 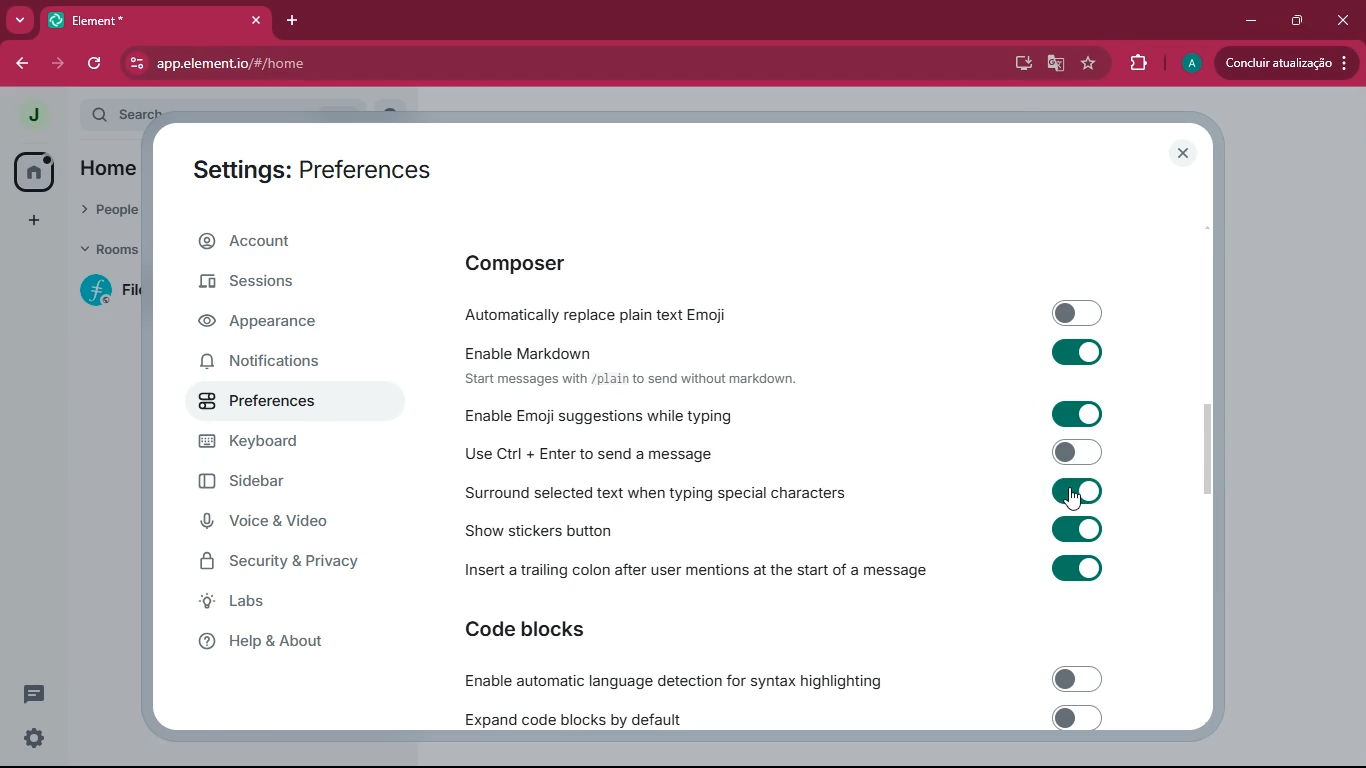 I want to click on maximize, so click(x=1293, y=18).